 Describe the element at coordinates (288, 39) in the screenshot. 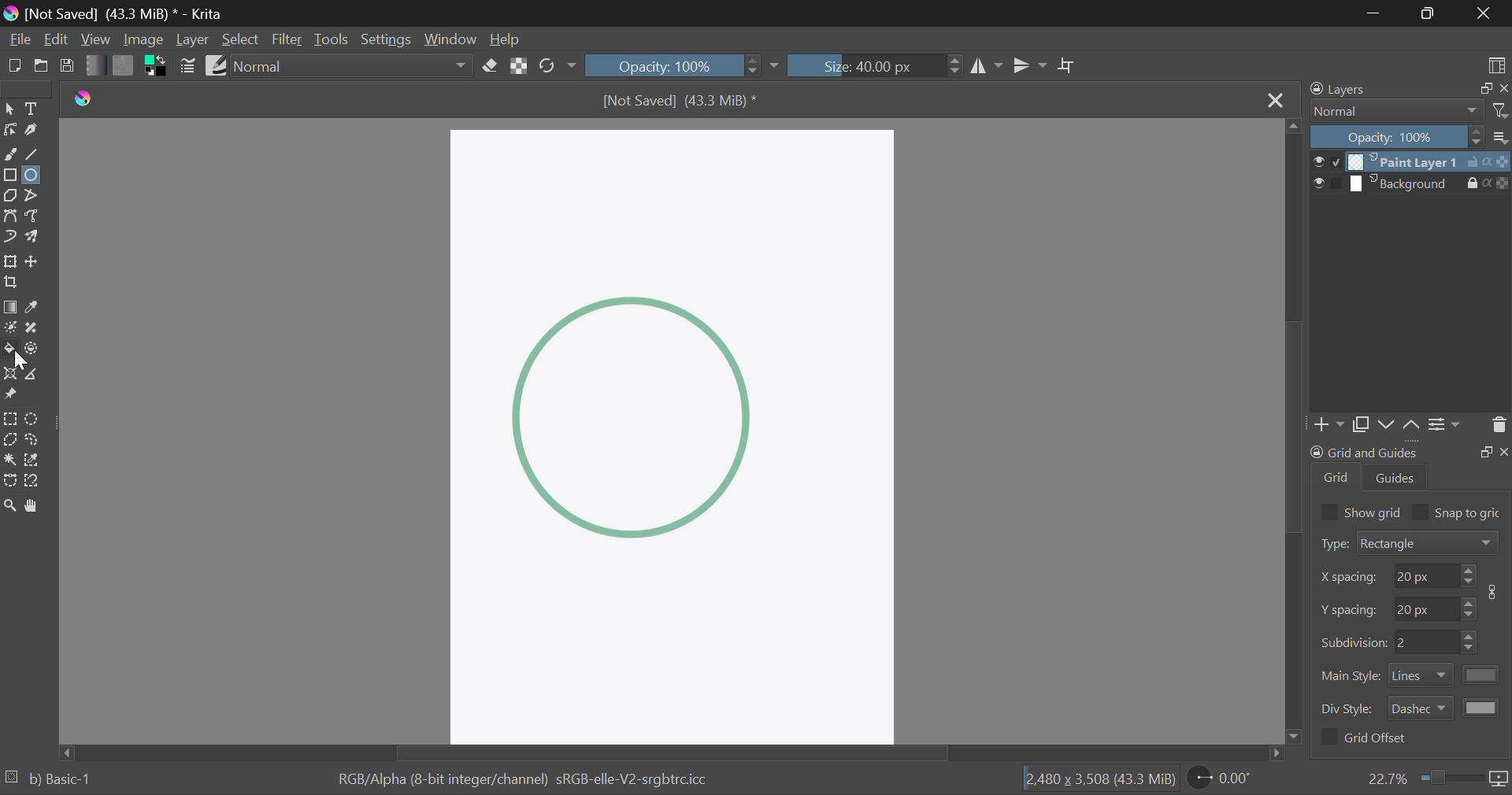

I see `Filter` at that location.